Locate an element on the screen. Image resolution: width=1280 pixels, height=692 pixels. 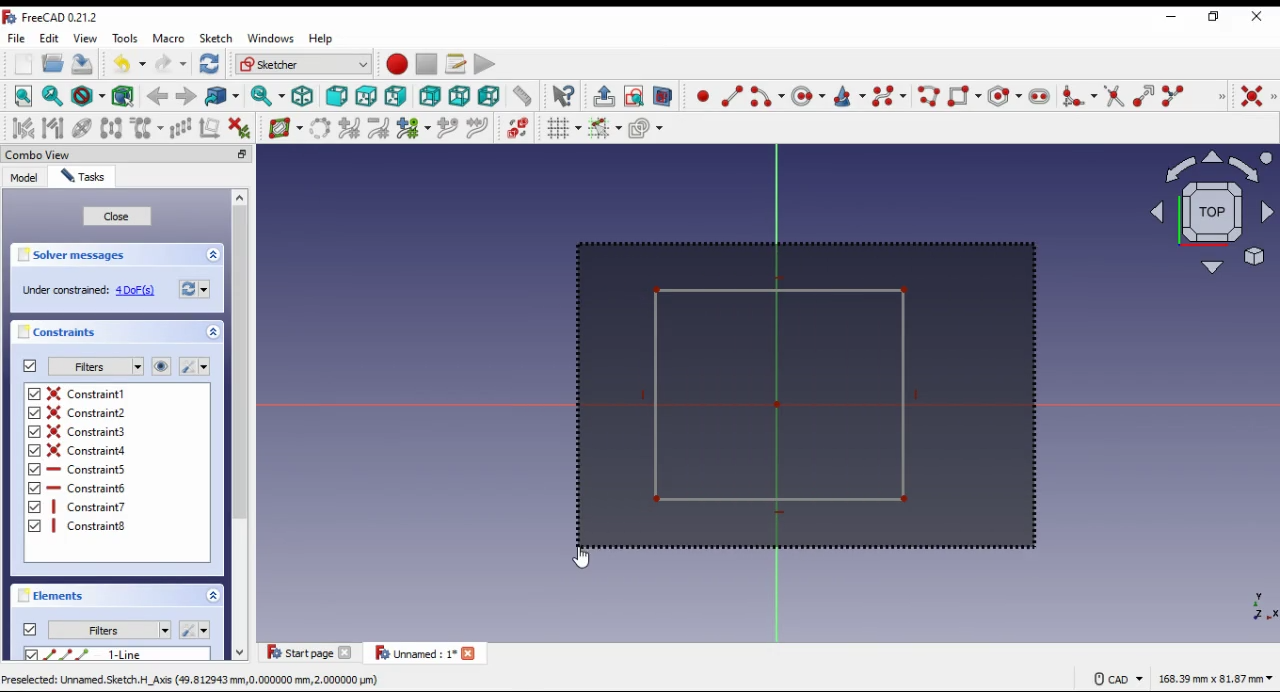
toggle snap is located at coordinates (606, 128).